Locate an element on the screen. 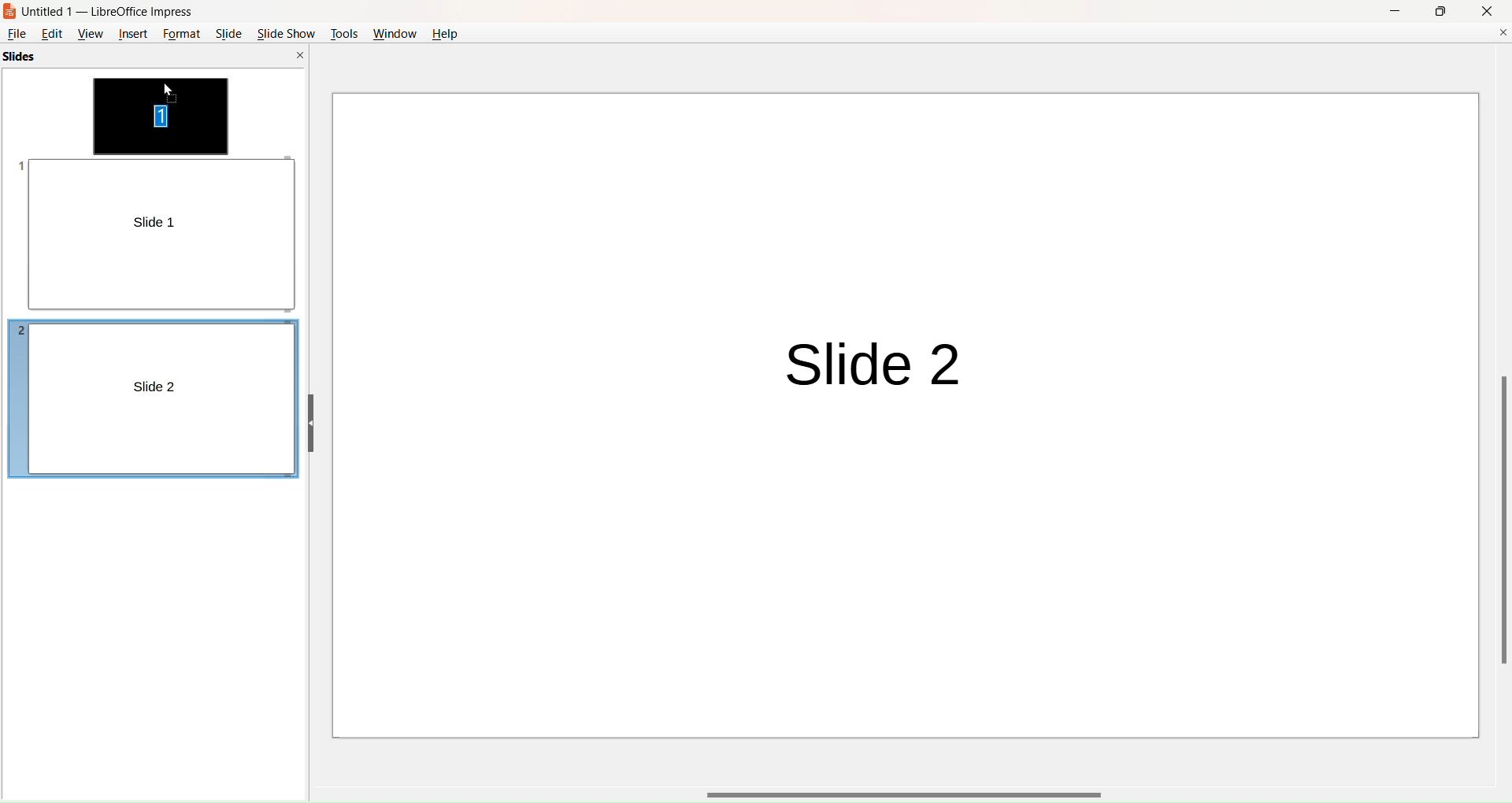 The image size is (1512, 803). format is located at coordinates (183, 35).